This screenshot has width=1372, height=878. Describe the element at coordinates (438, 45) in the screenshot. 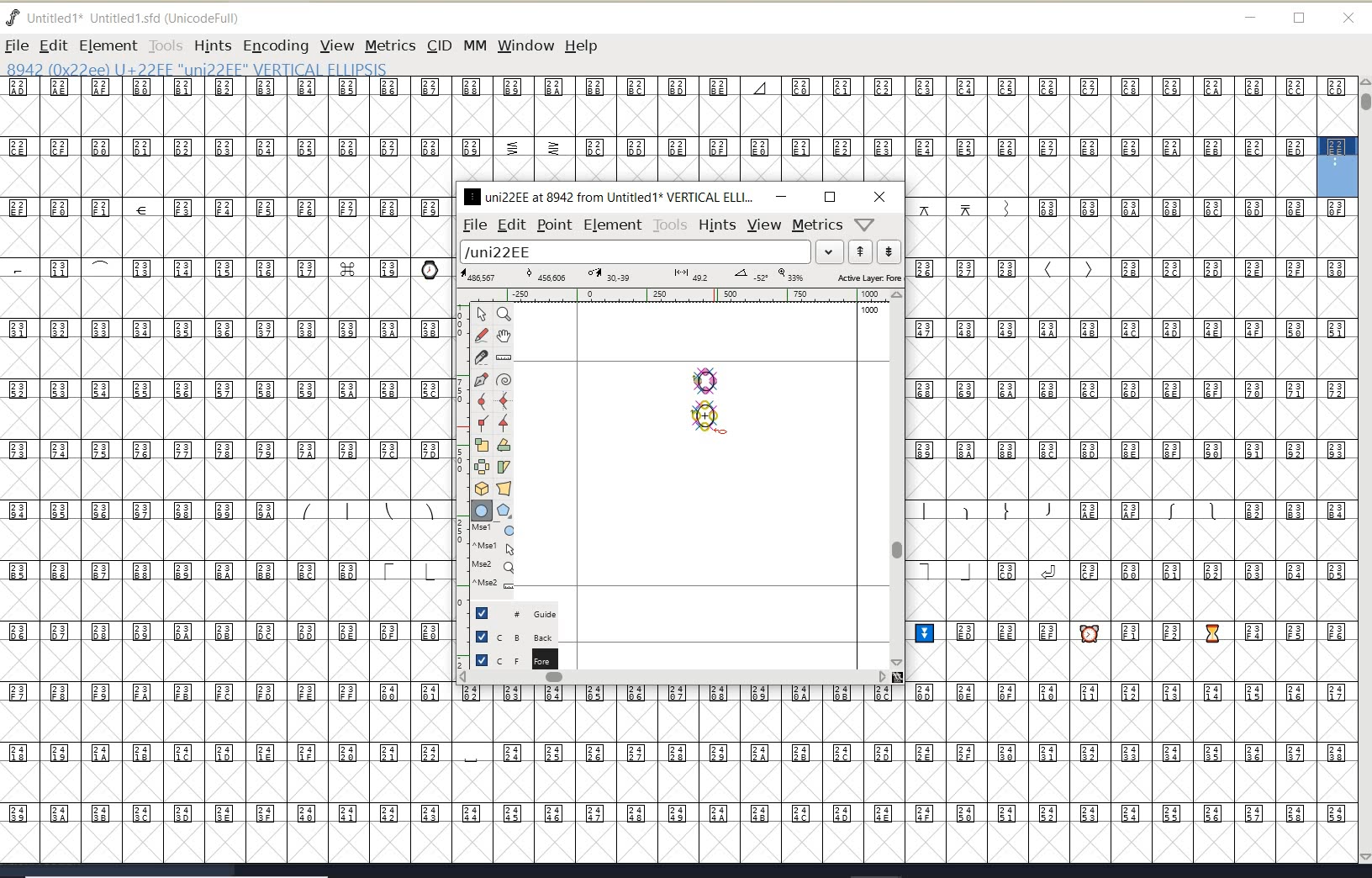

I see `CID` at that location.